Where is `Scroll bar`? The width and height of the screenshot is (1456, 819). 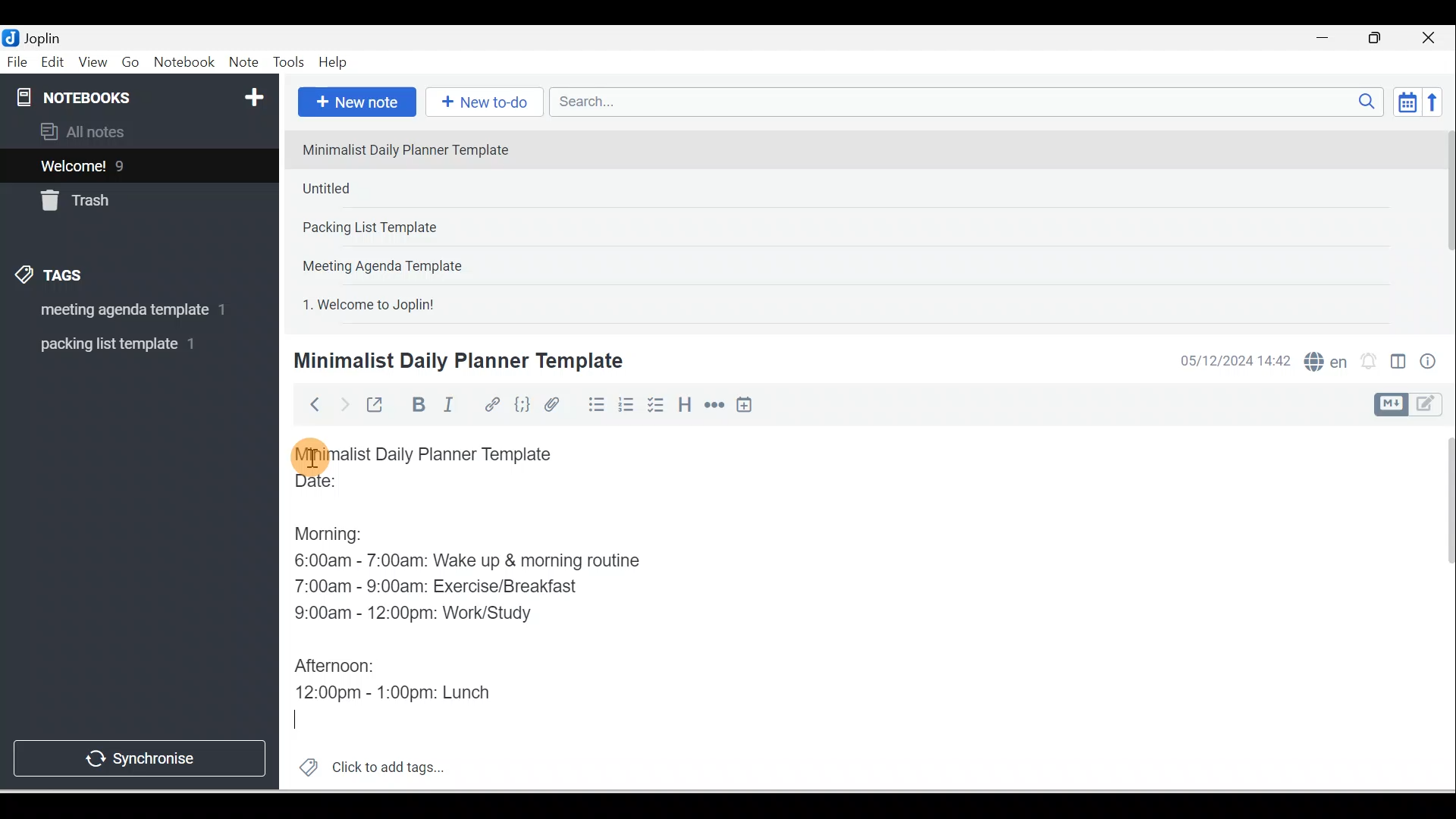
Scroll bar is located at coordinates (1439, 608).